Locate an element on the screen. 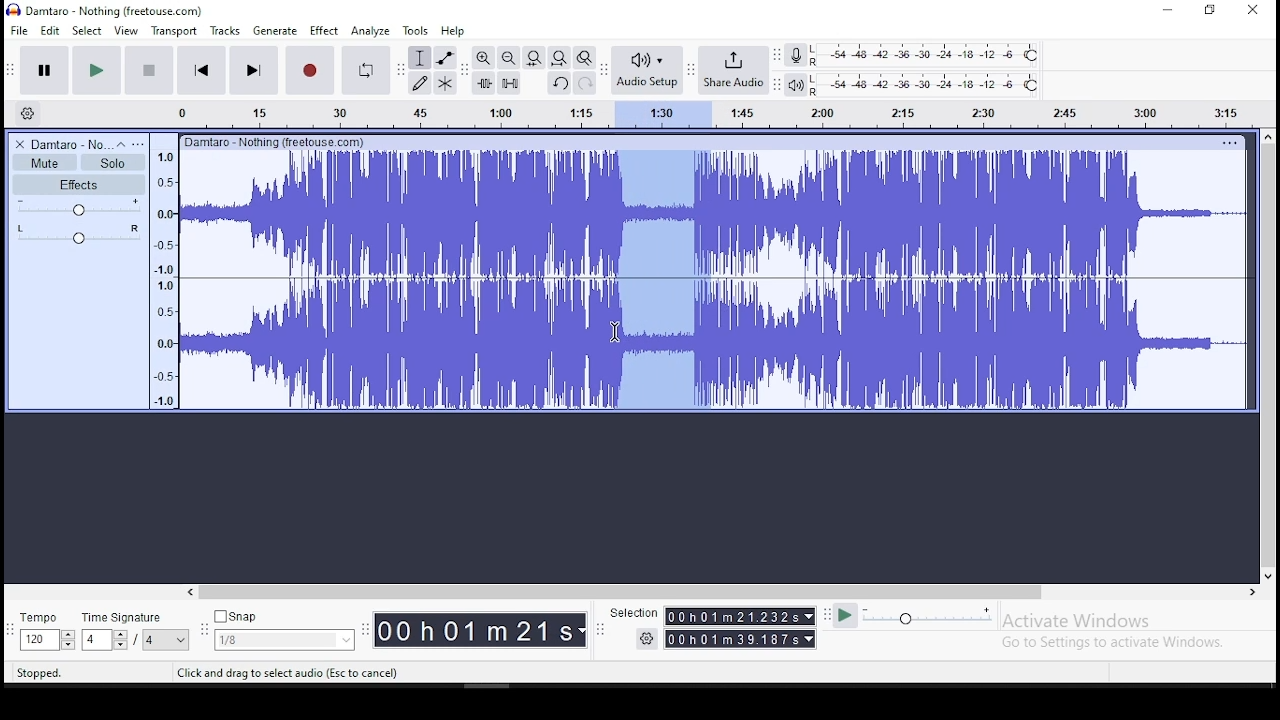 The image size is (1280, 720). close is located at coordinates (1252, 11).